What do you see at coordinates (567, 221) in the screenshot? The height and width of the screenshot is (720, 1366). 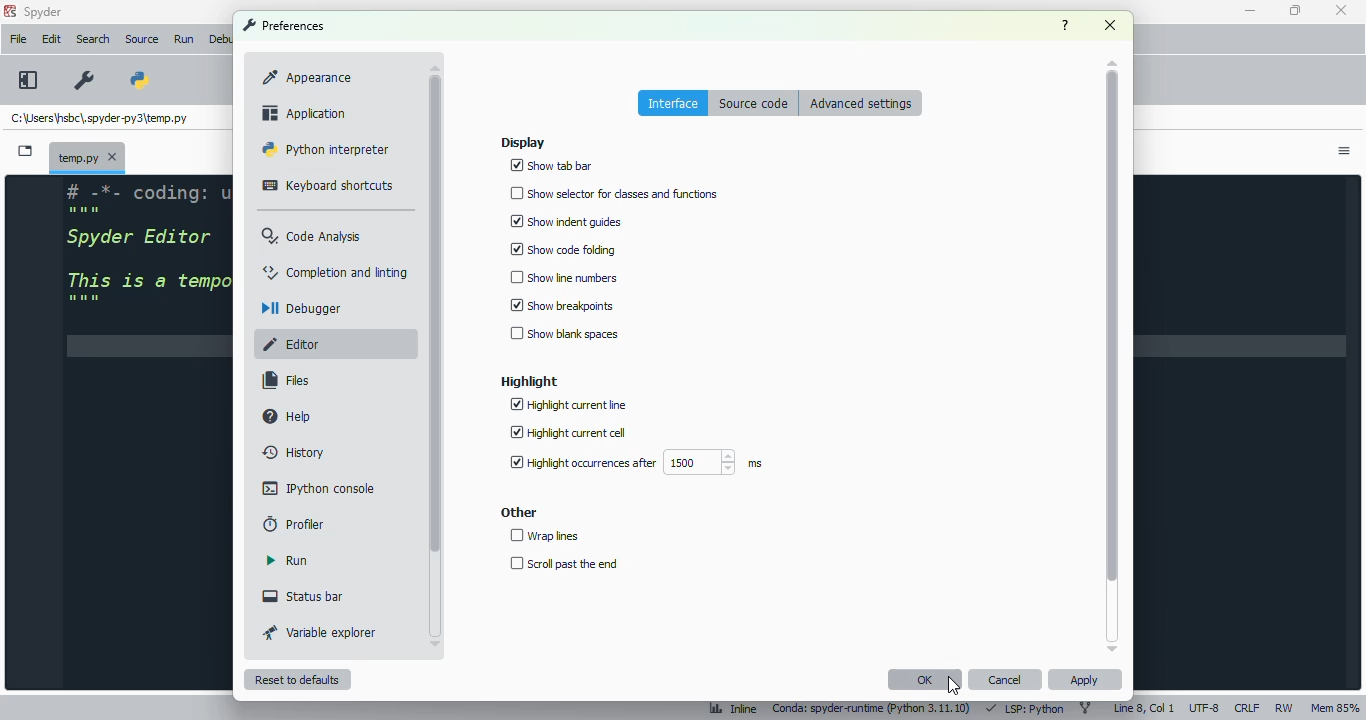 I see `show indent guides` at bounding box center [567, 221].